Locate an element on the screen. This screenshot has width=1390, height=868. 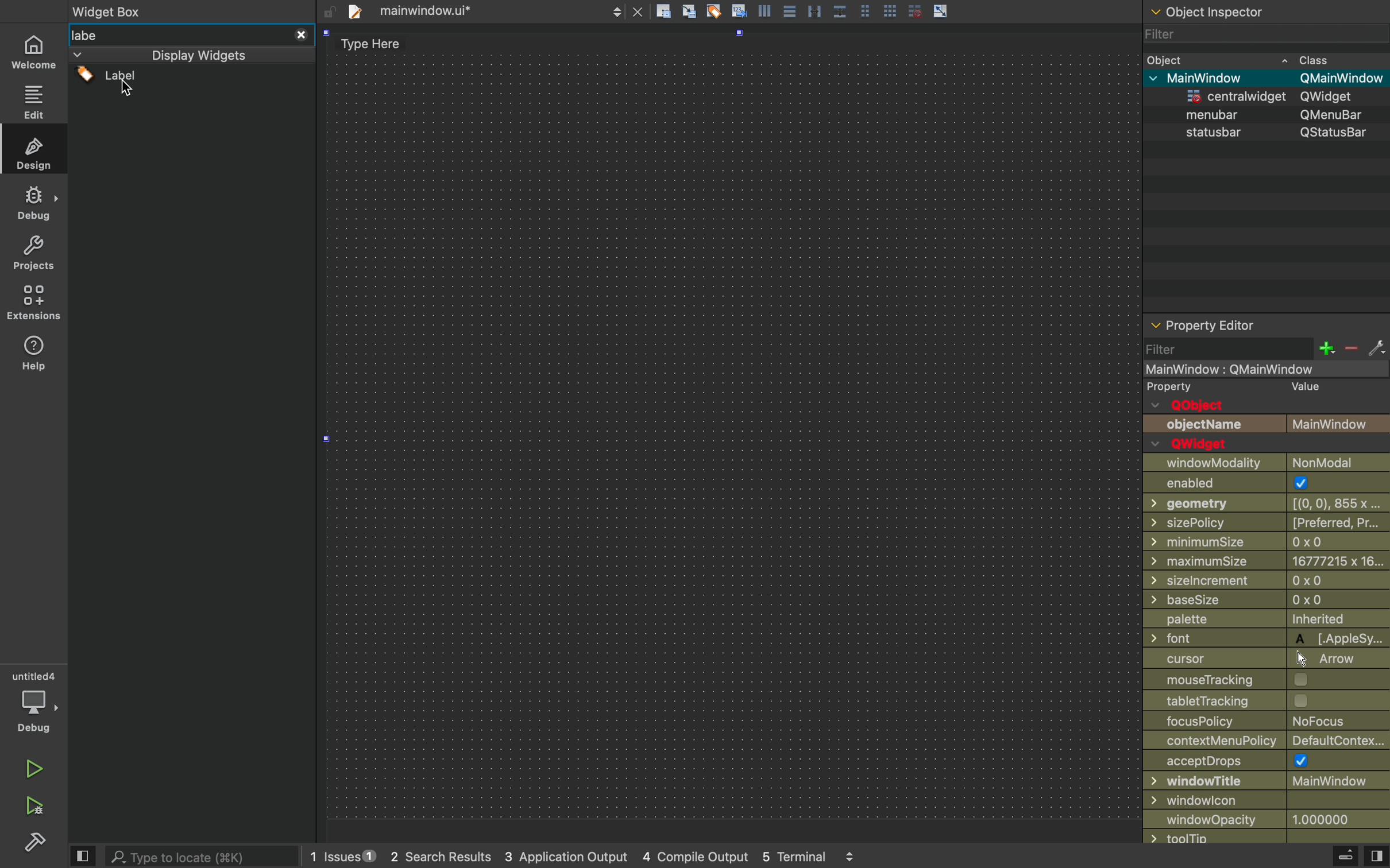
edit is located at coordinates (33, 99).